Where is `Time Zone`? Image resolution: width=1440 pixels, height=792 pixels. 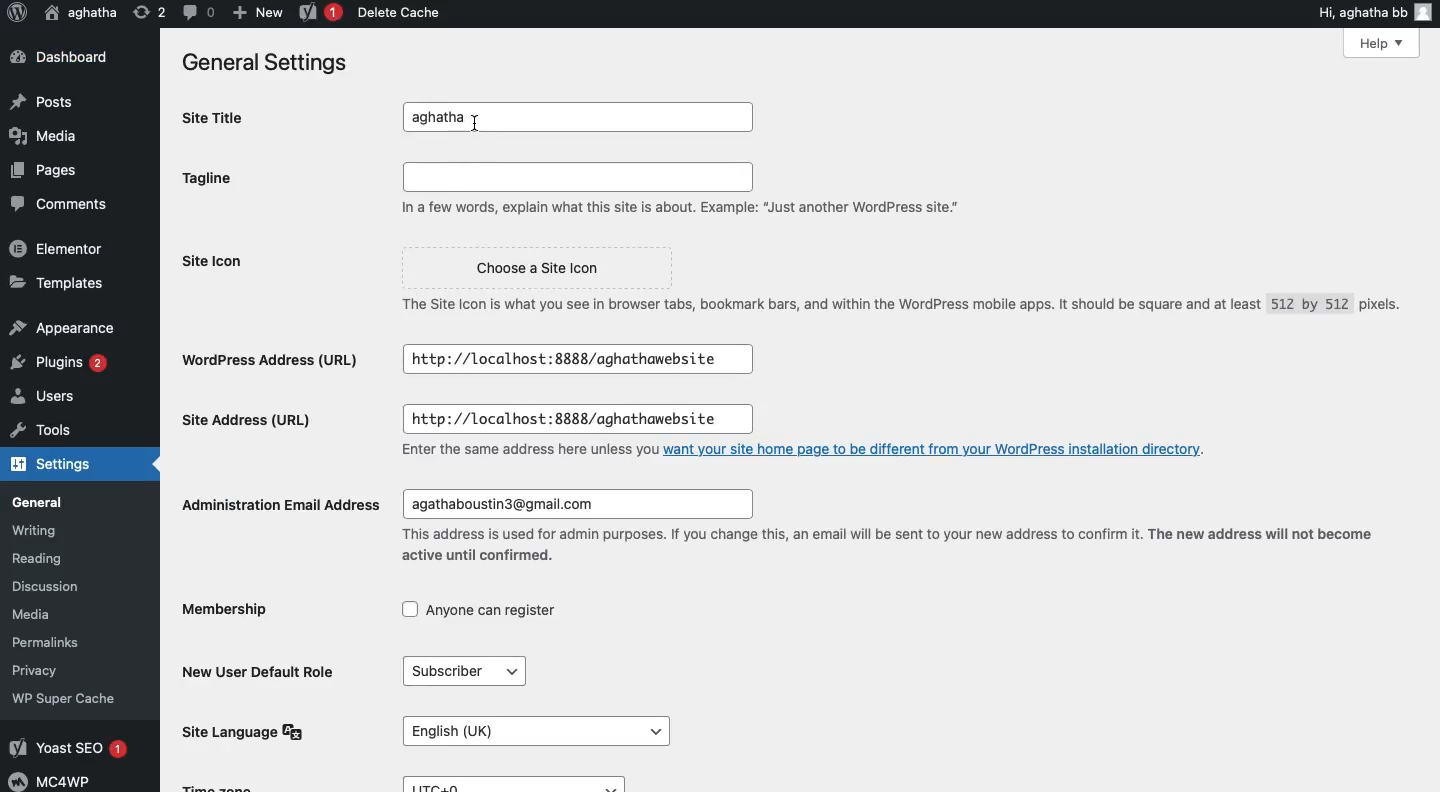
Time Zone is located at coordinates (223, 786).